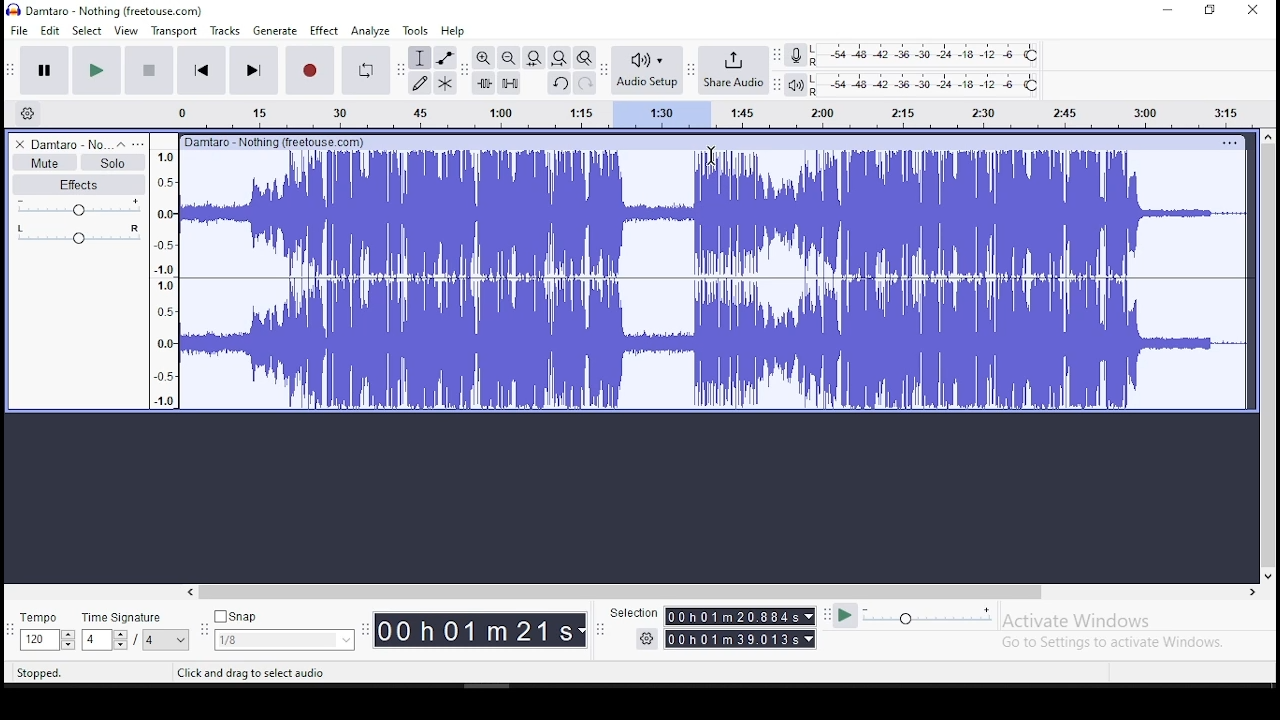  Describe the element at coordinates (21, 30) in the screenshot. I see `file` at that location.